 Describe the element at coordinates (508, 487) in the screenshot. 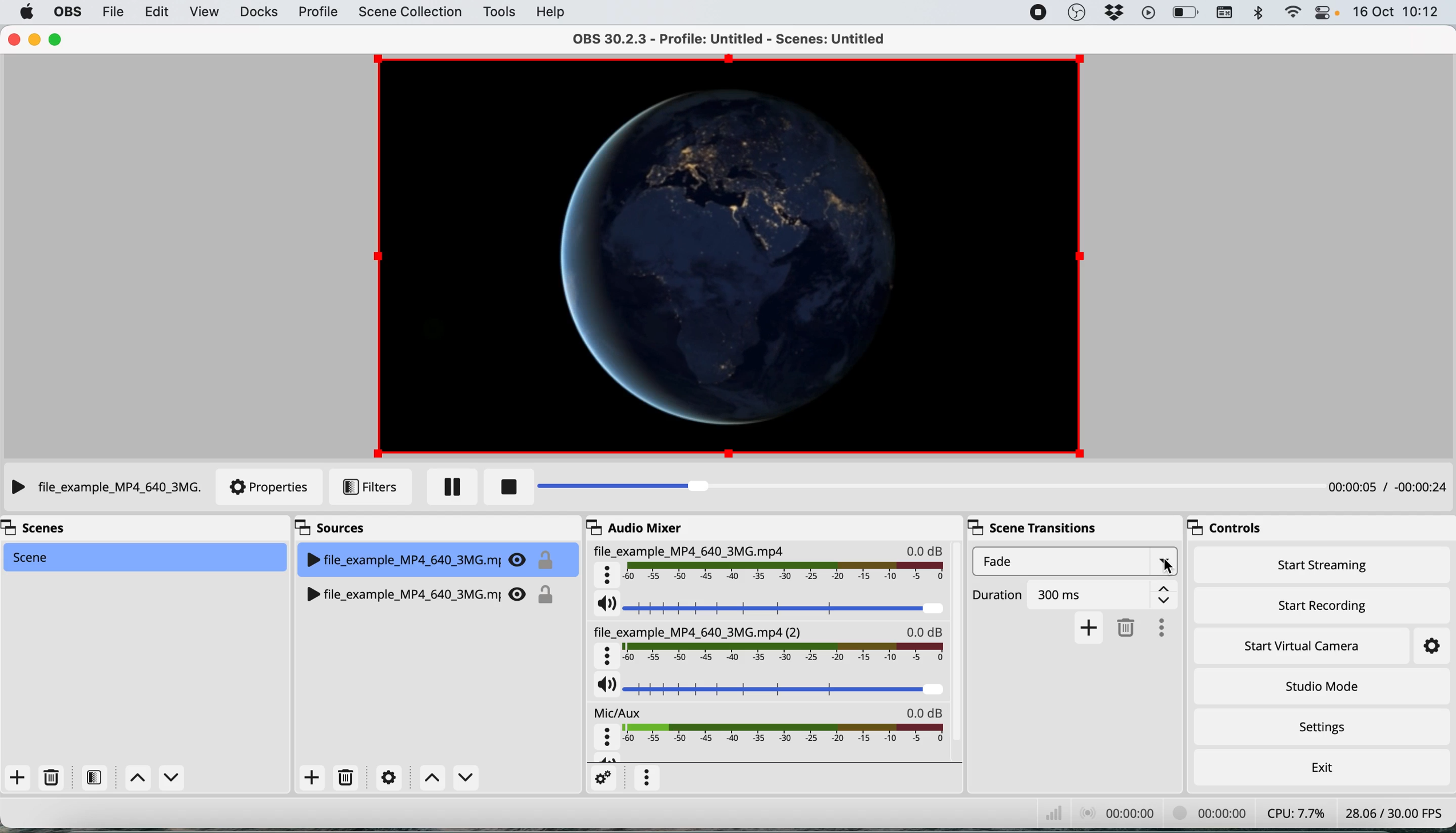

I see `stop` at that location.